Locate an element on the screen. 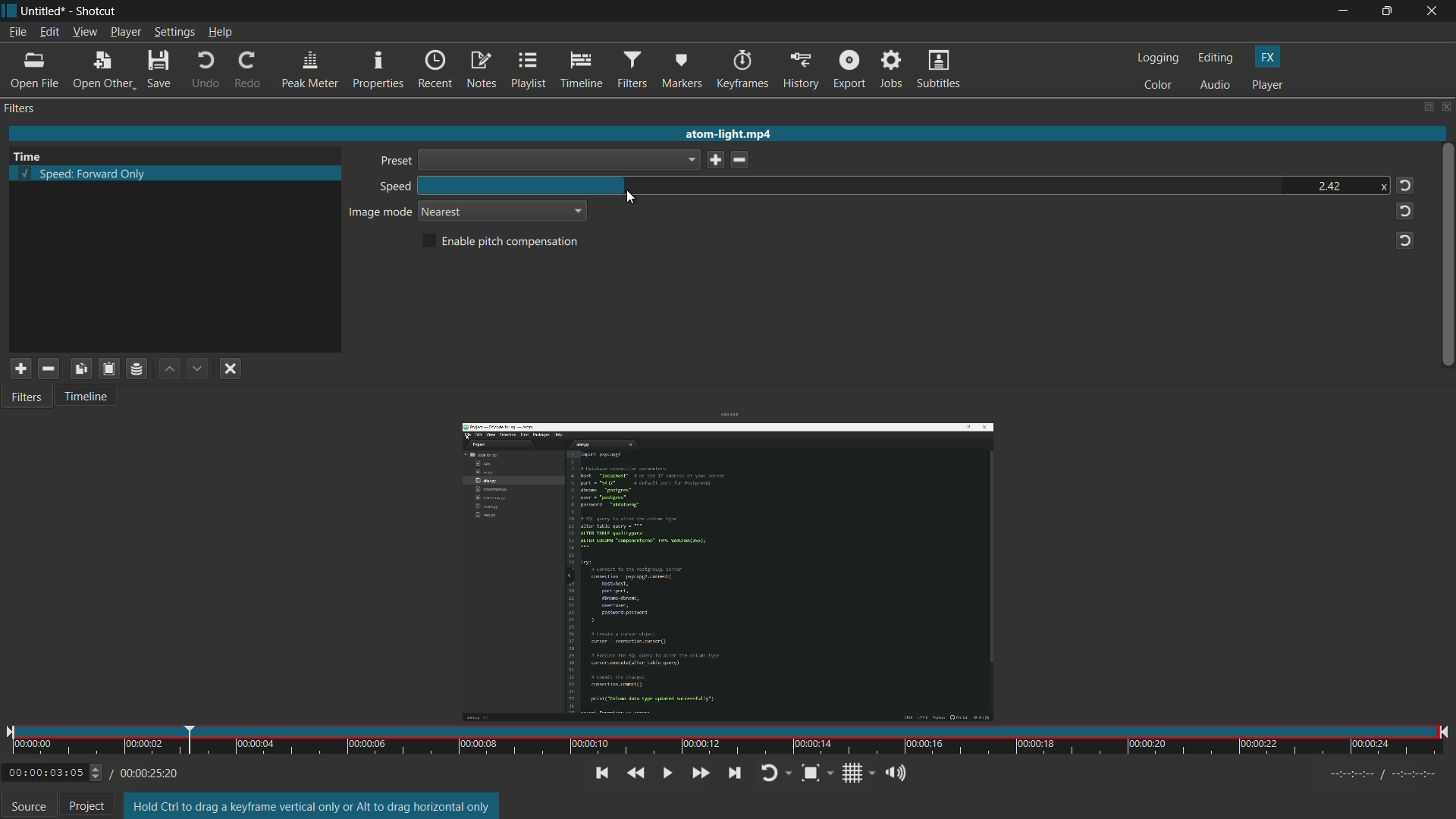  paste filter is located at coordinates (108, 368).